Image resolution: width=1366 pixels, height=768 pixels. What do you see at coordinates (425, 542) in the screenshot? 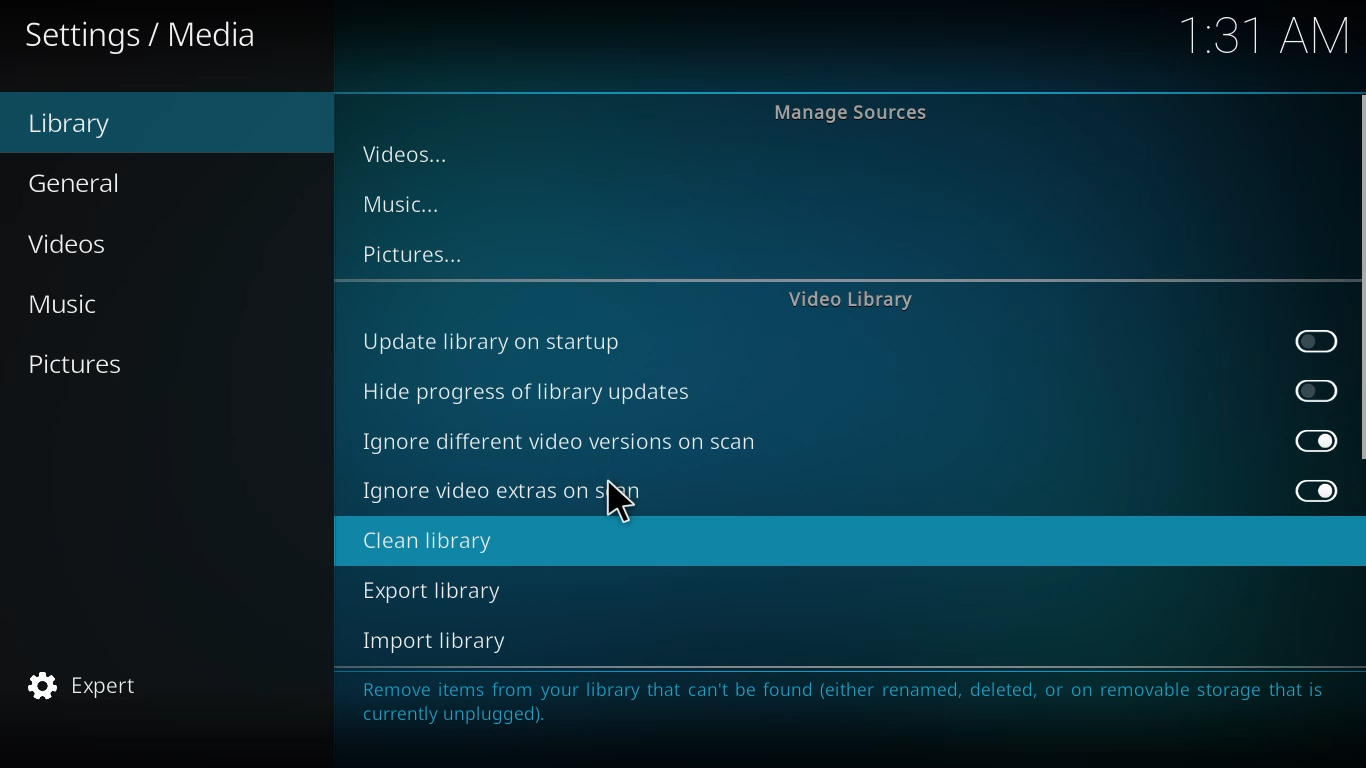
I see `clean library` at bounding box center [425, 542].